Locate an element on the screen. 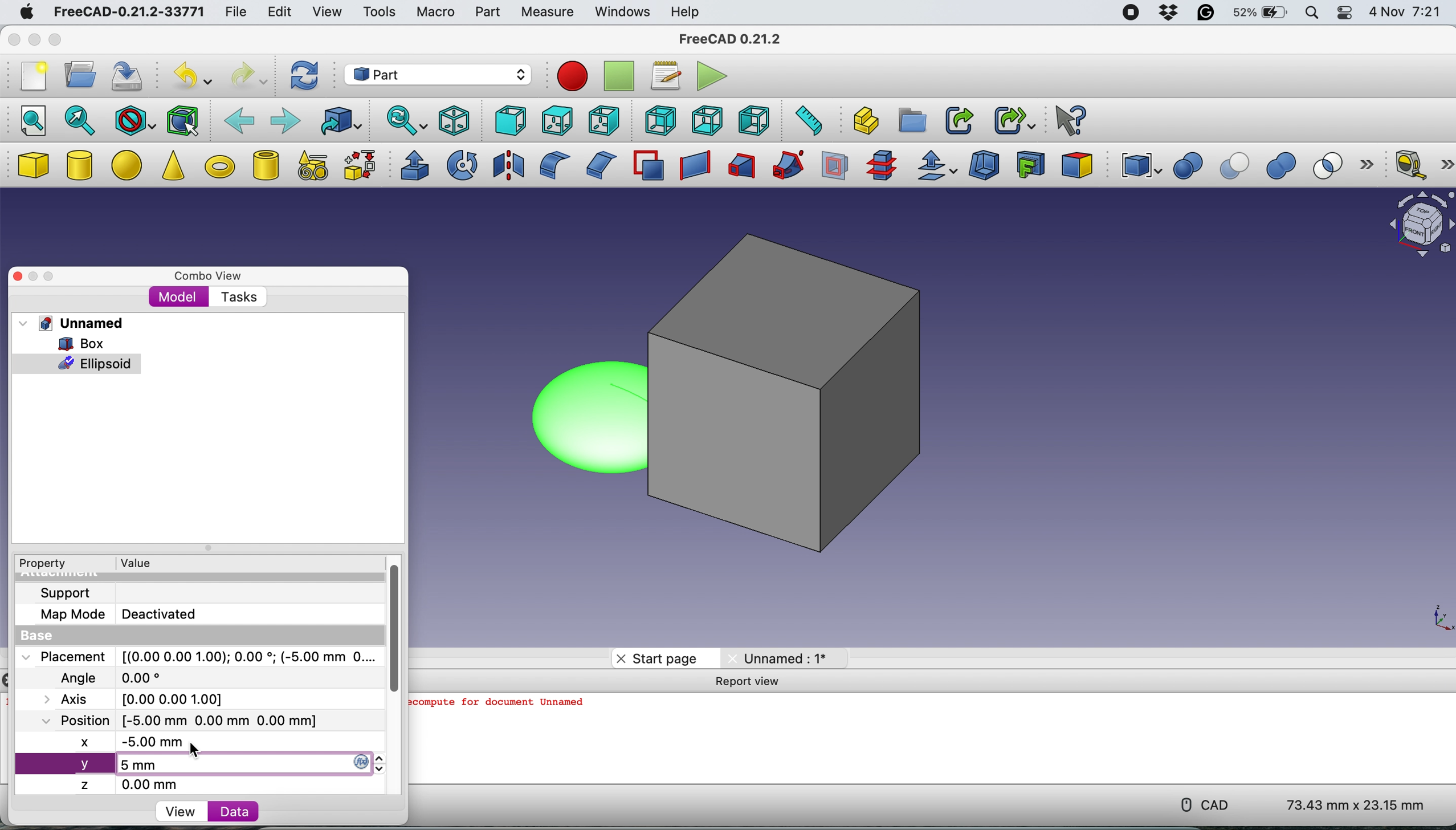 The width and height of the screenshot is (1456, 830). macro is located at coordinates (435, 13).